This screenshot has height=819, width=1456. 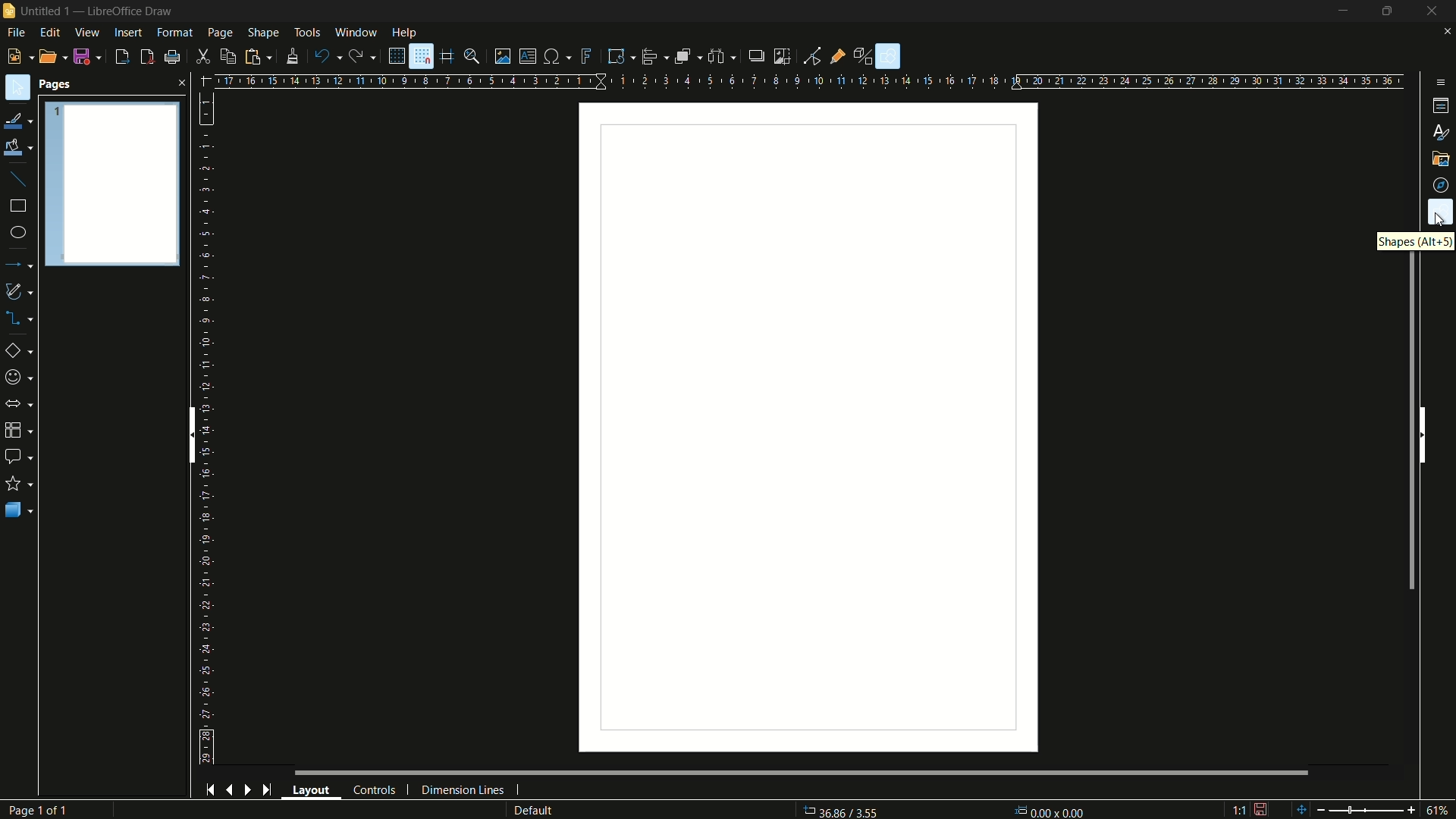 I want to click on length measuring scale, so click(x=210, y=428).